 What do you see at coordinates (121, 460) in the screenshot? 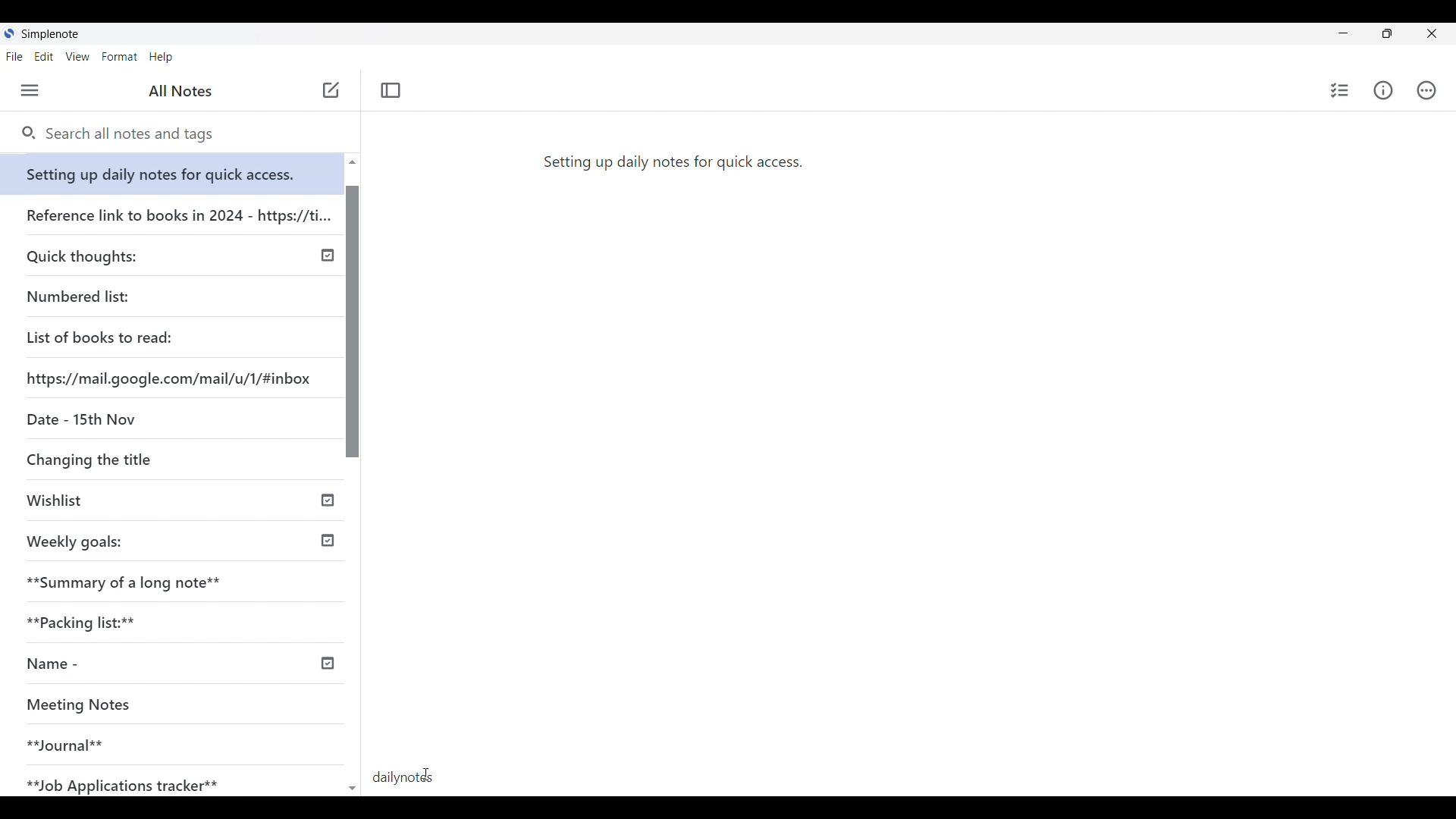
I see `Changing the title` at bounding box center [121, 460].